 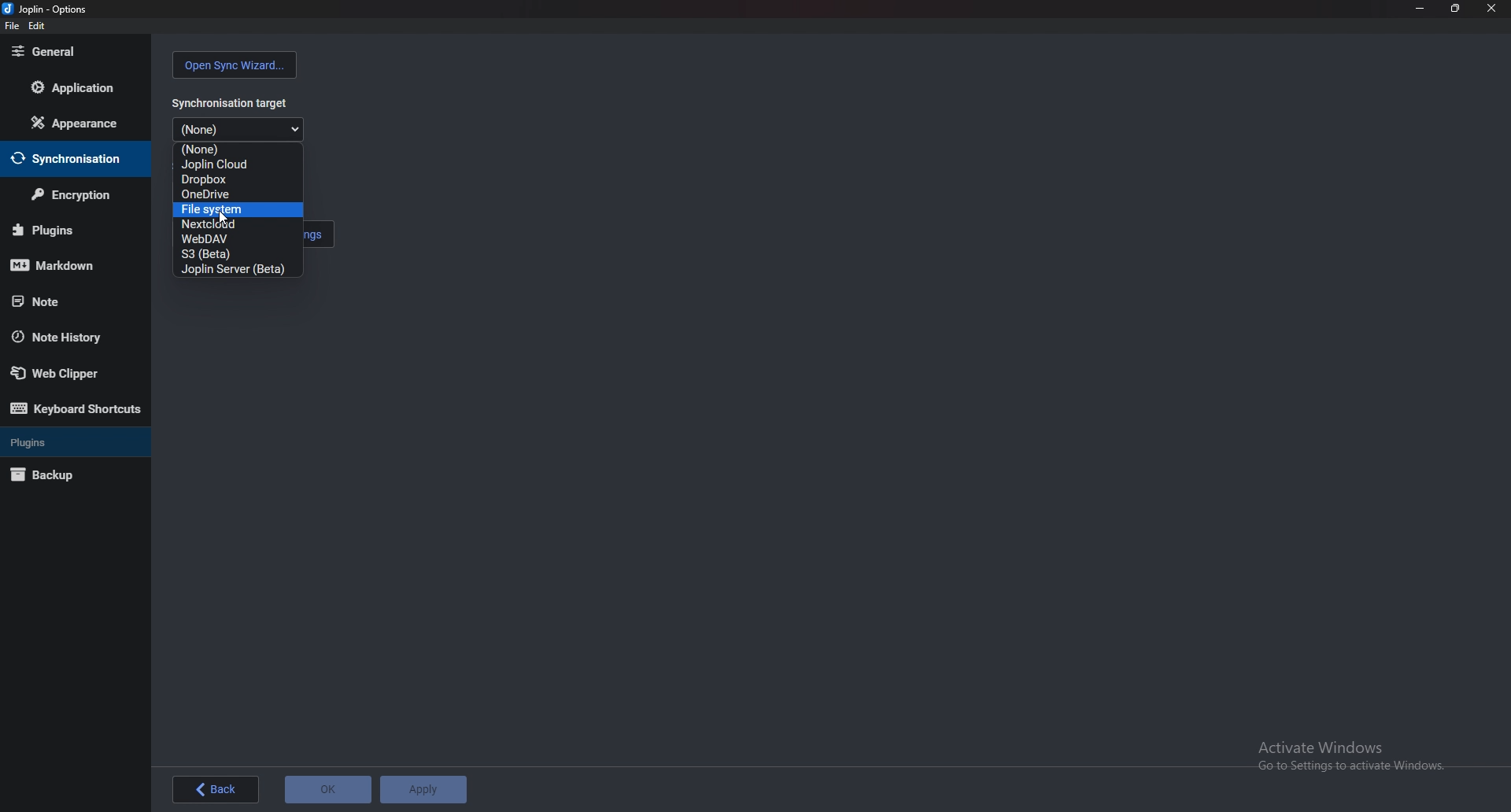 I want to click on Next cloud, so click(x=239, y=225).